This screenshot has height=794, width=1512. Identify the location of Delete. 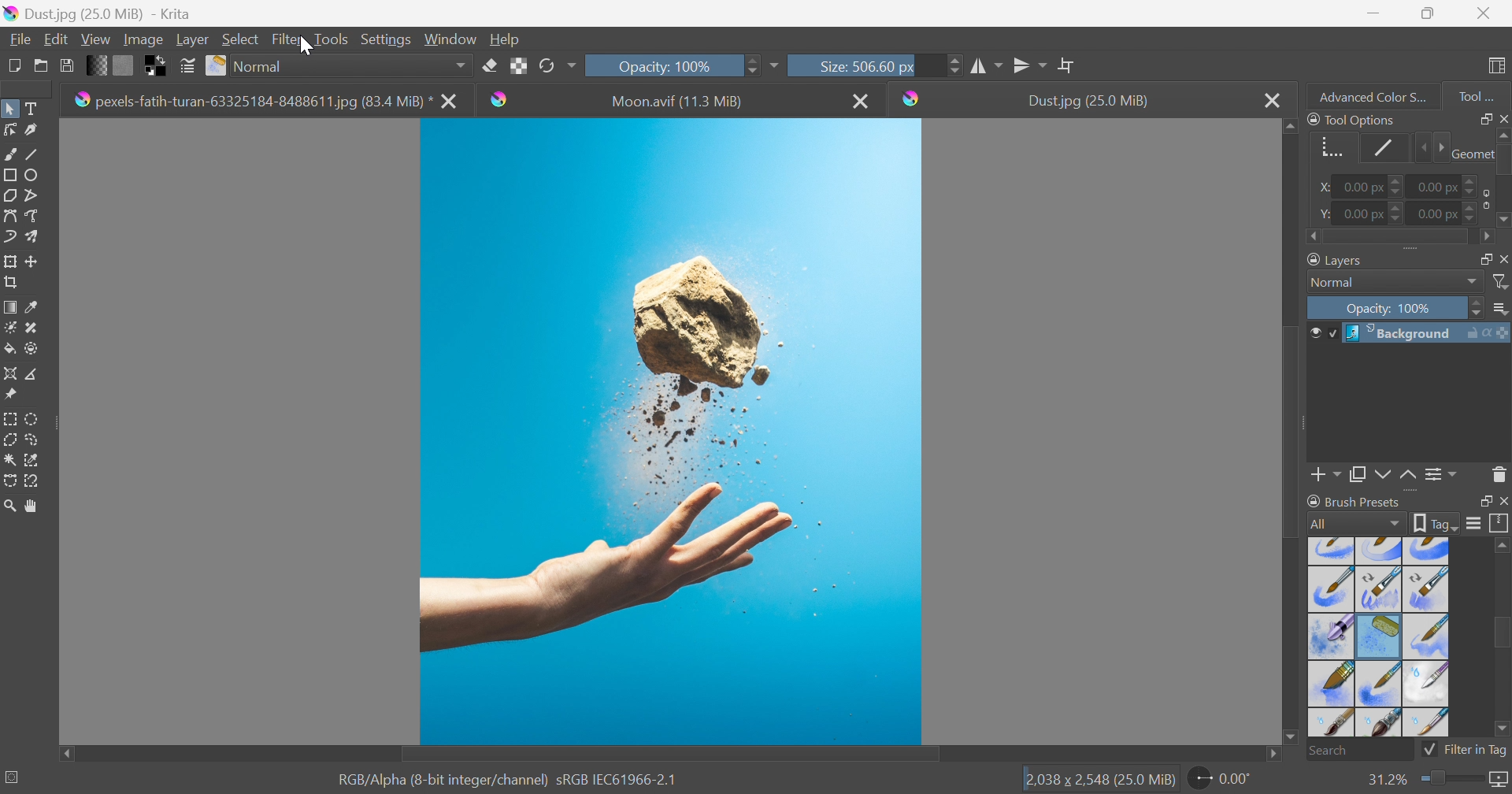
(1499, 473).